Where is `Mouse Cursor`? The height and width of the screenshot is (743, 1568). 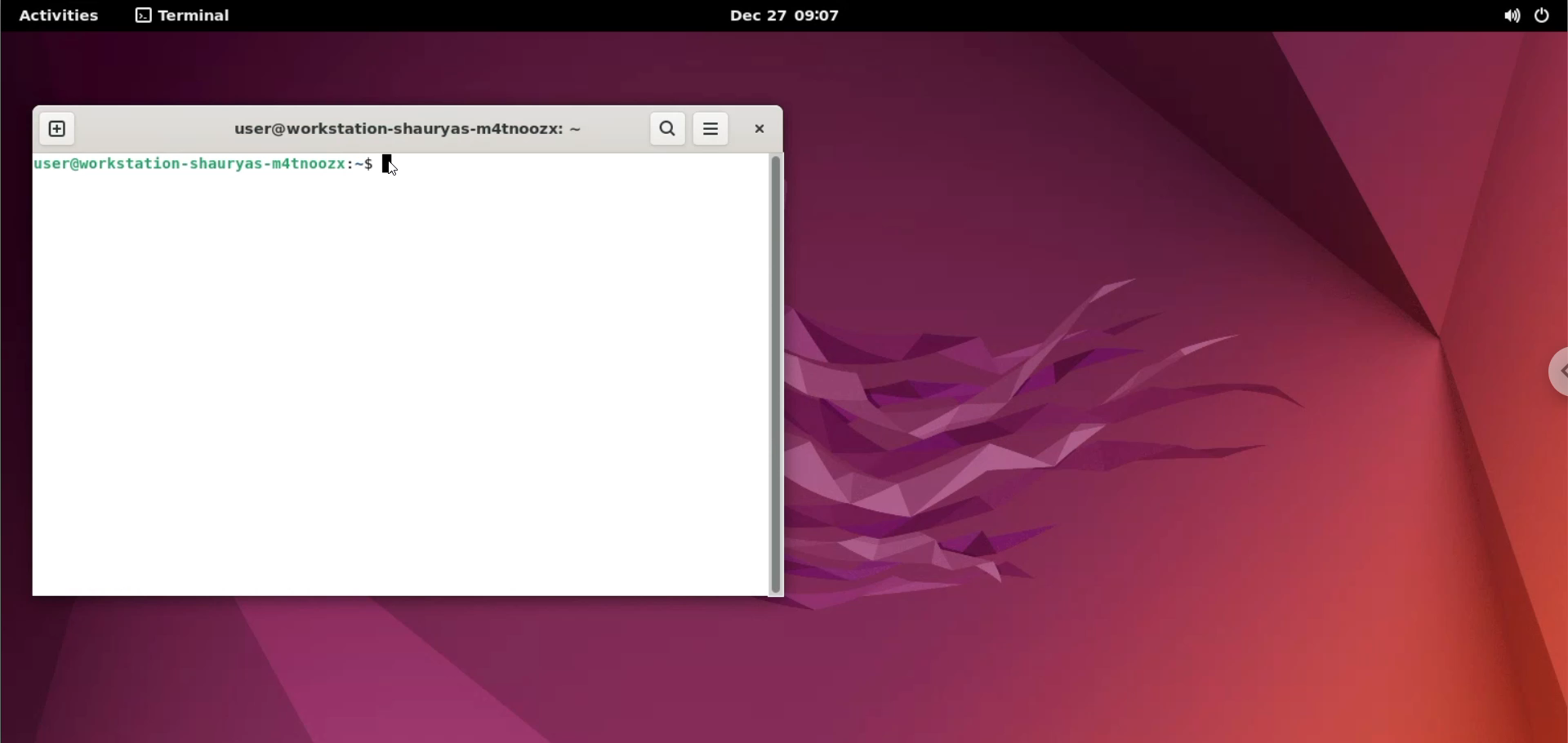 Mouse Cursor is located at coordinates (394, 170).